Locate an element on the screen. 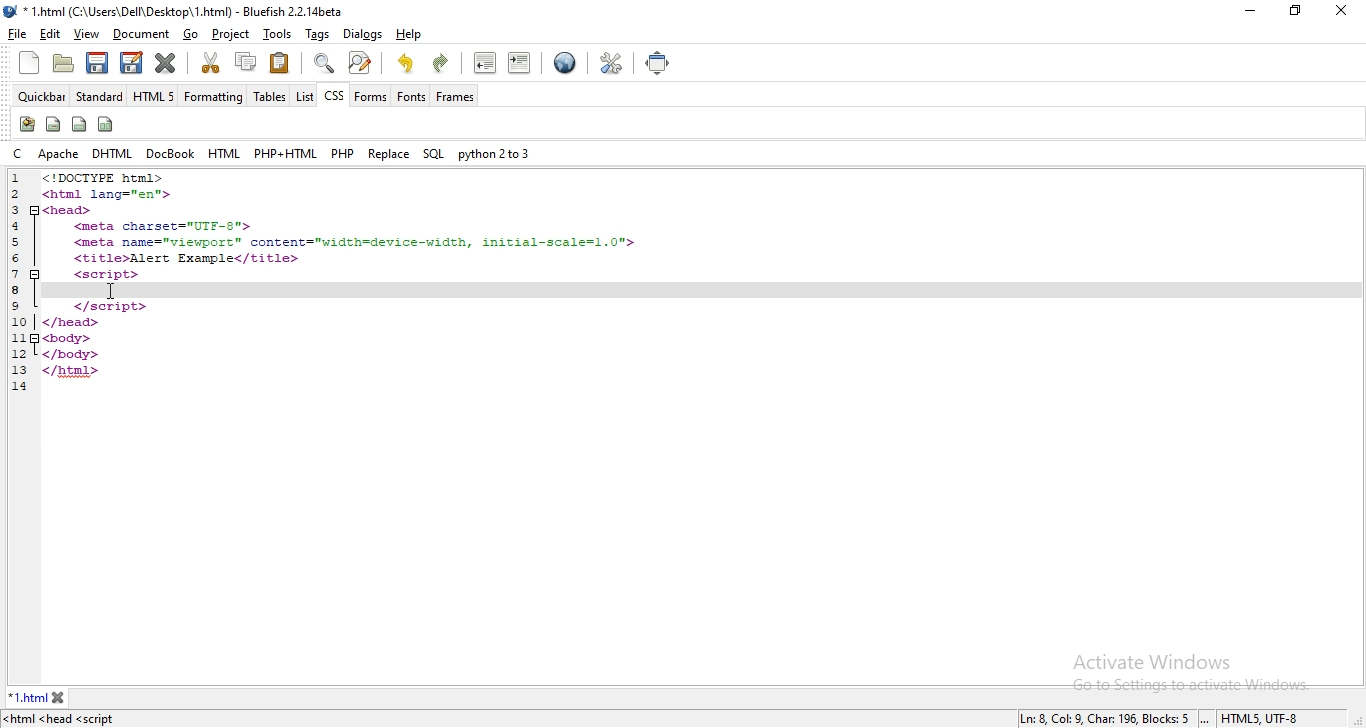  close is located at coordinates (1342, 11).